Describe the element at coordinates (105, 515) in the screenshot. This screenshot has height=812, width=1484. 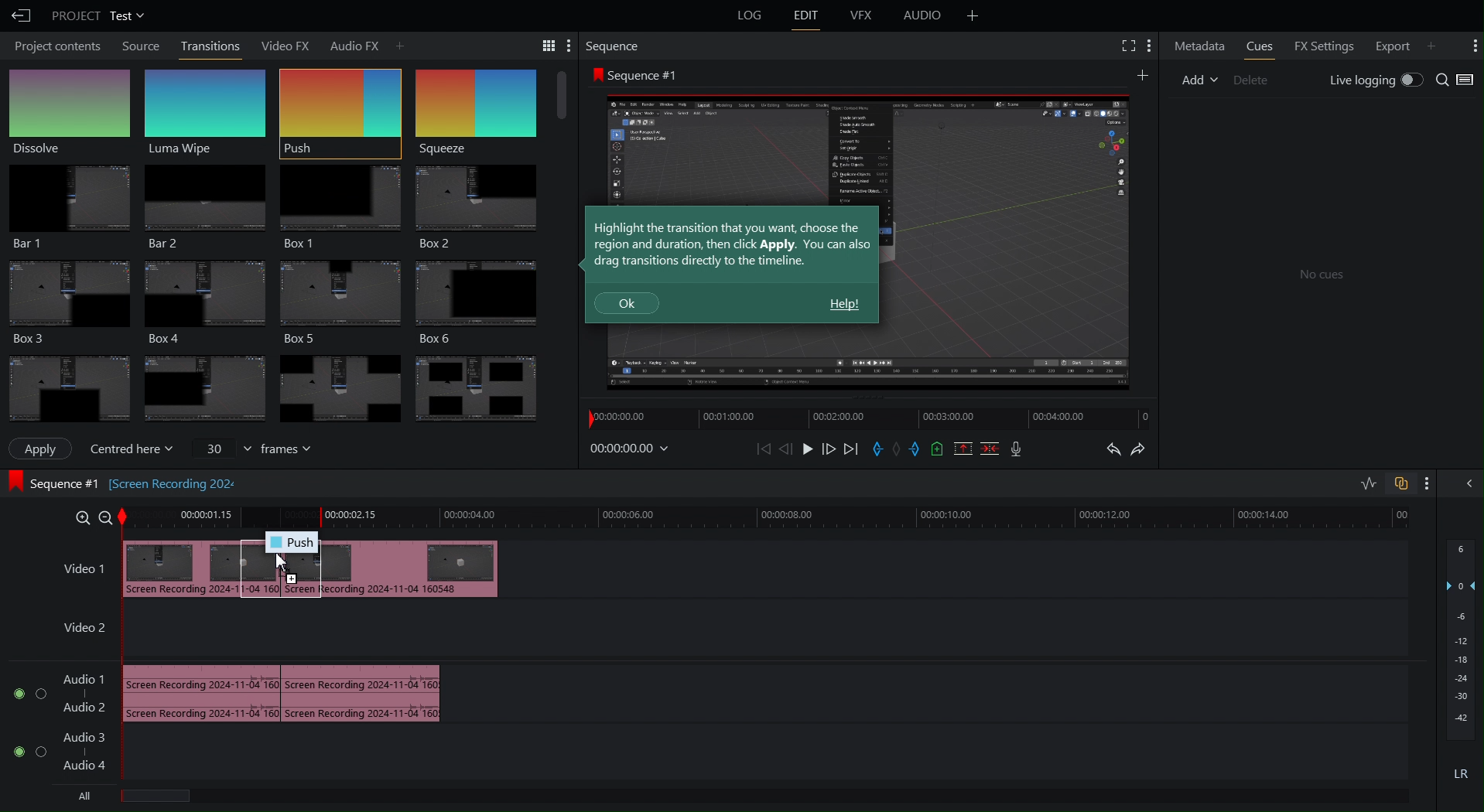
I see `zoom out` at that location.